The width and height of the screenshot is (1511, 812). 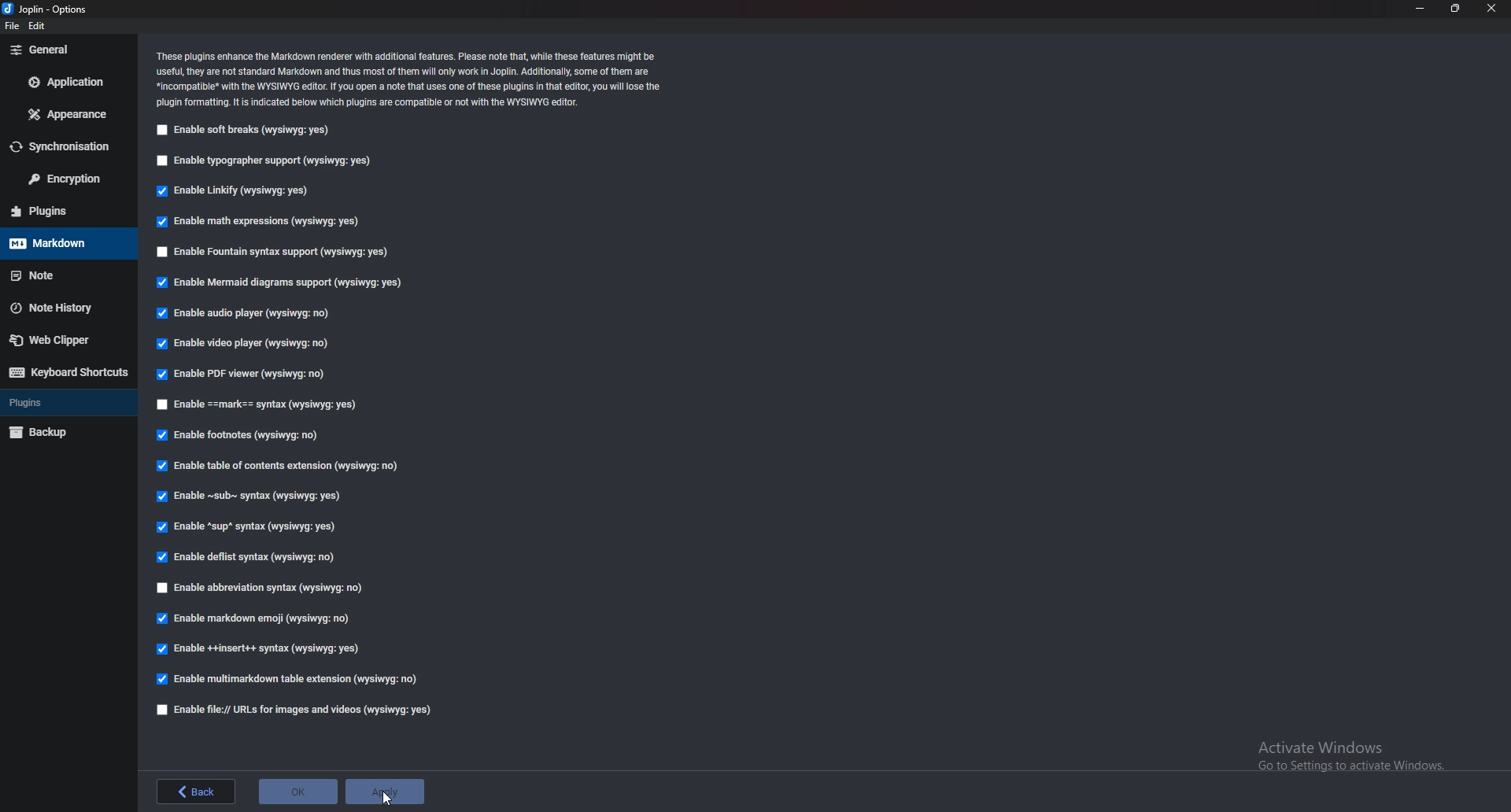 I want to click on Application, so click(x=64, y=83).